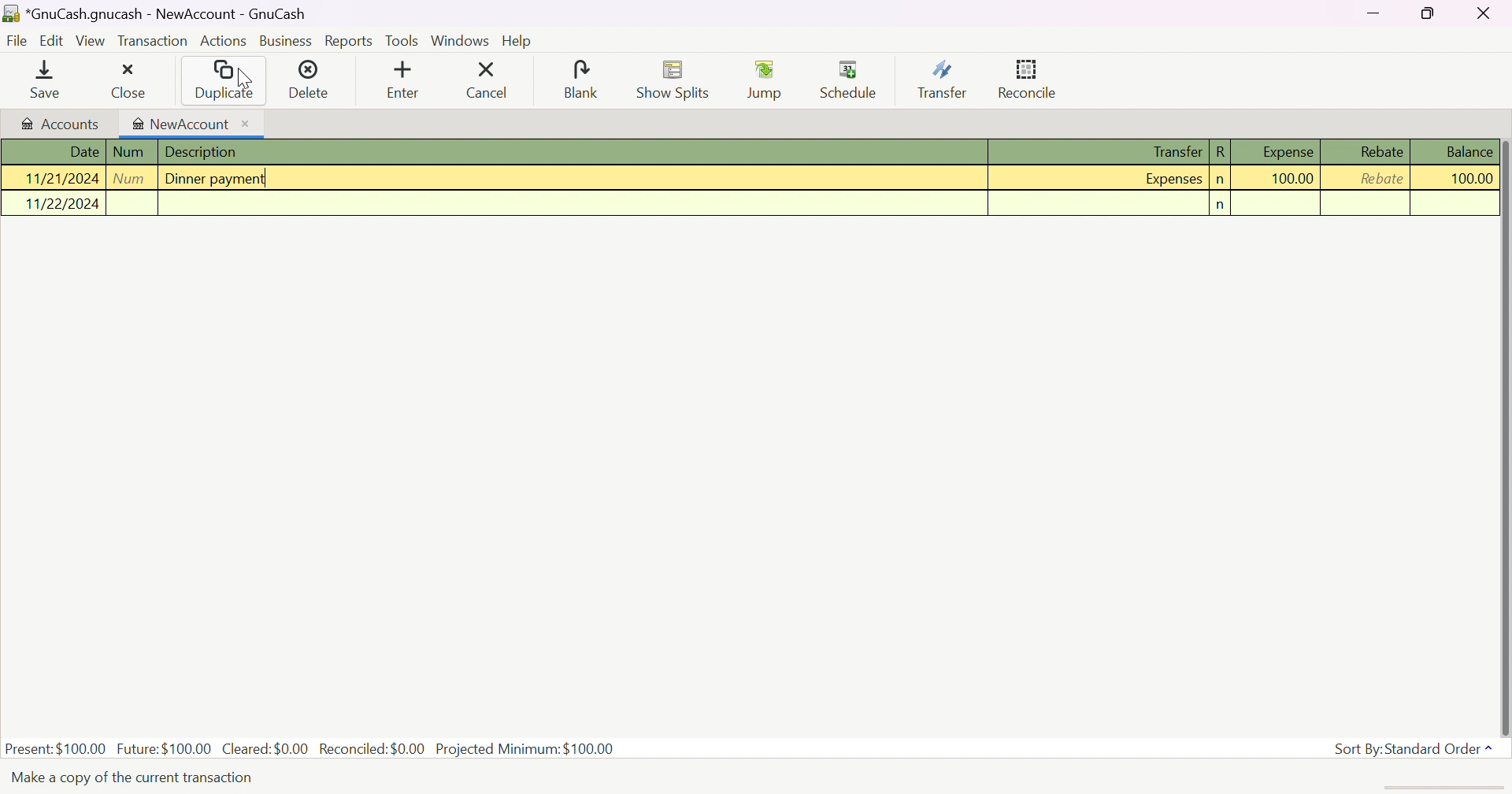 This screenshot has height=794, width=1512. What do you see at coordinates (63, 202) in the screenshot?
I see `11/22/2024` at bounding box center [63, 202].